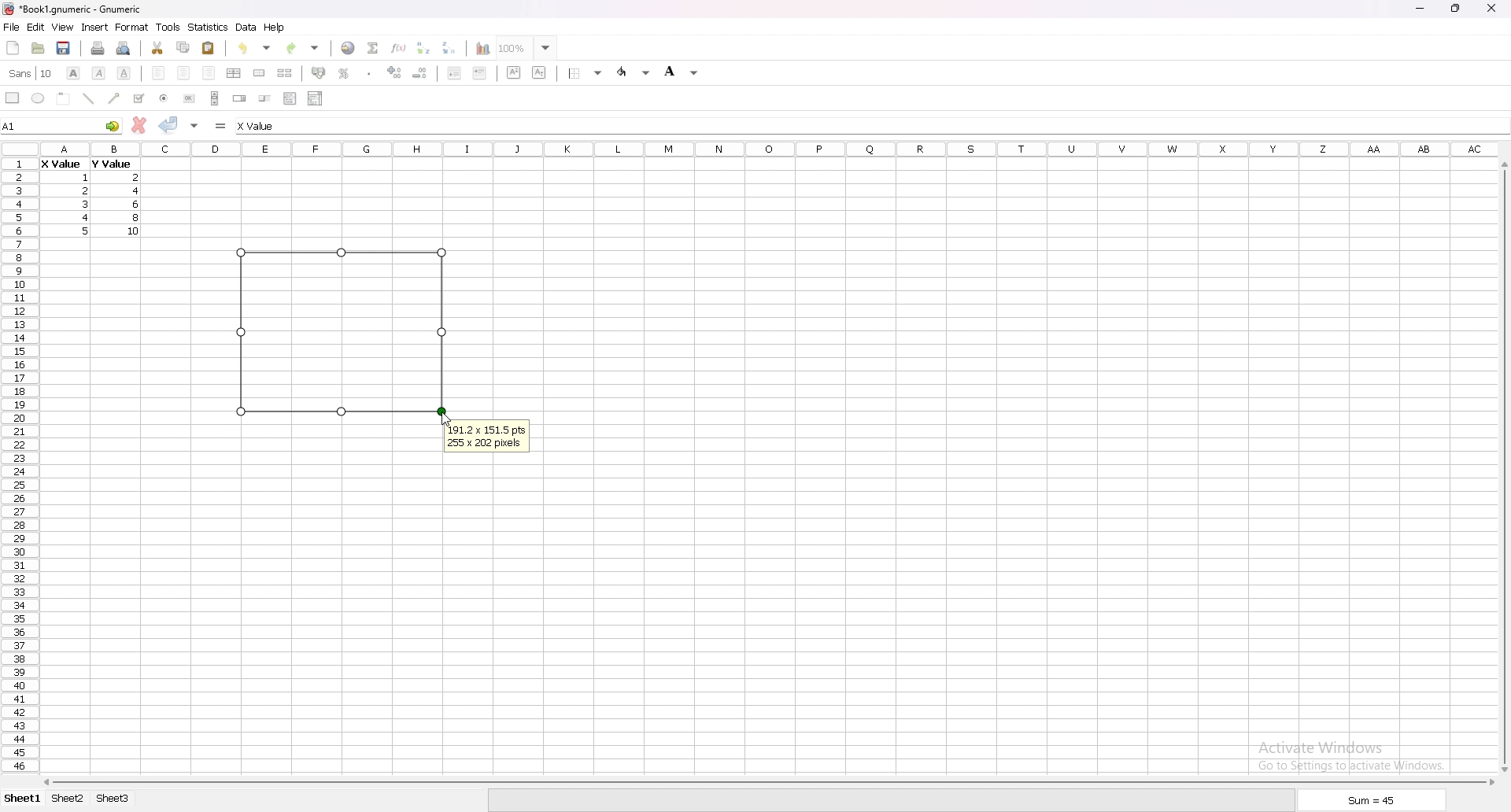 Image resolution: width=1511 pixels, height=812 pixels. I want to click on superscript, so click(515, 72).